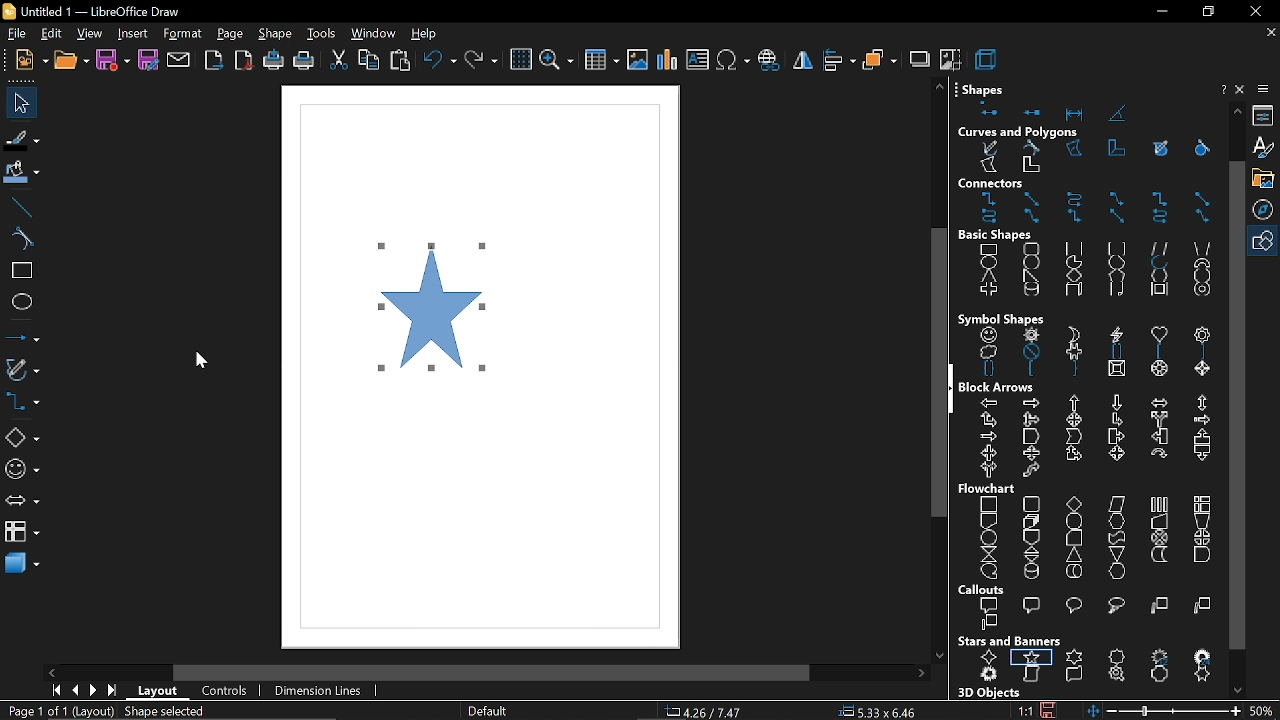 This screenshot has height=720, width=1280. I want to click on flip, so click(802, 63).